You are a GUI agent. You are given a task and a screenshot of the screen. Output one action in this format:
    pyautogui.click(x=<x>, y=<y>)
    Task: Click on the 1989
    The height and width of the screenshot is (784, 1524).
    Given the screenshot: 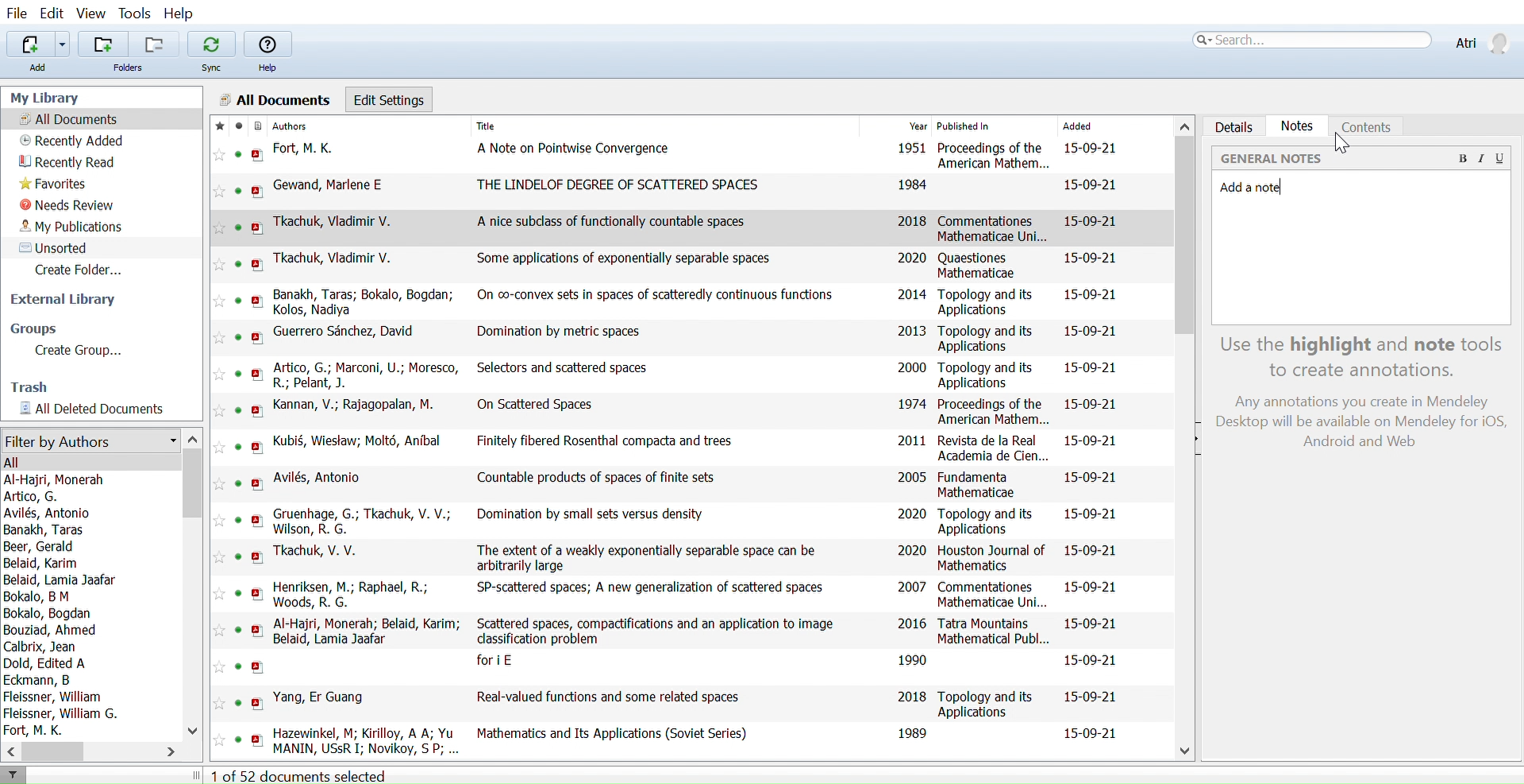 What is the action you would take?
    pyautogui.click(x=916, y=734)
    